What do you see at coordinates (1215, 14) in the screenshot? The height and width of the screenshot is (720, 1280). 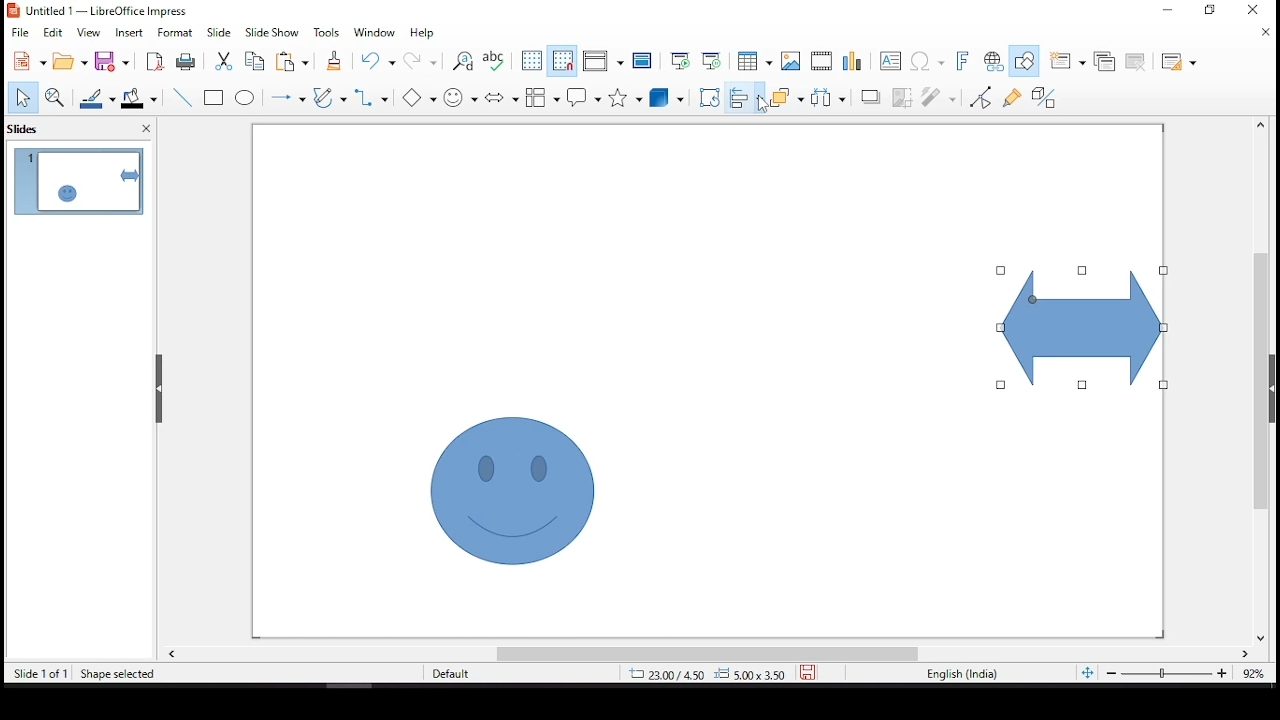 I see `restore` at bounding box center [1215, 14].